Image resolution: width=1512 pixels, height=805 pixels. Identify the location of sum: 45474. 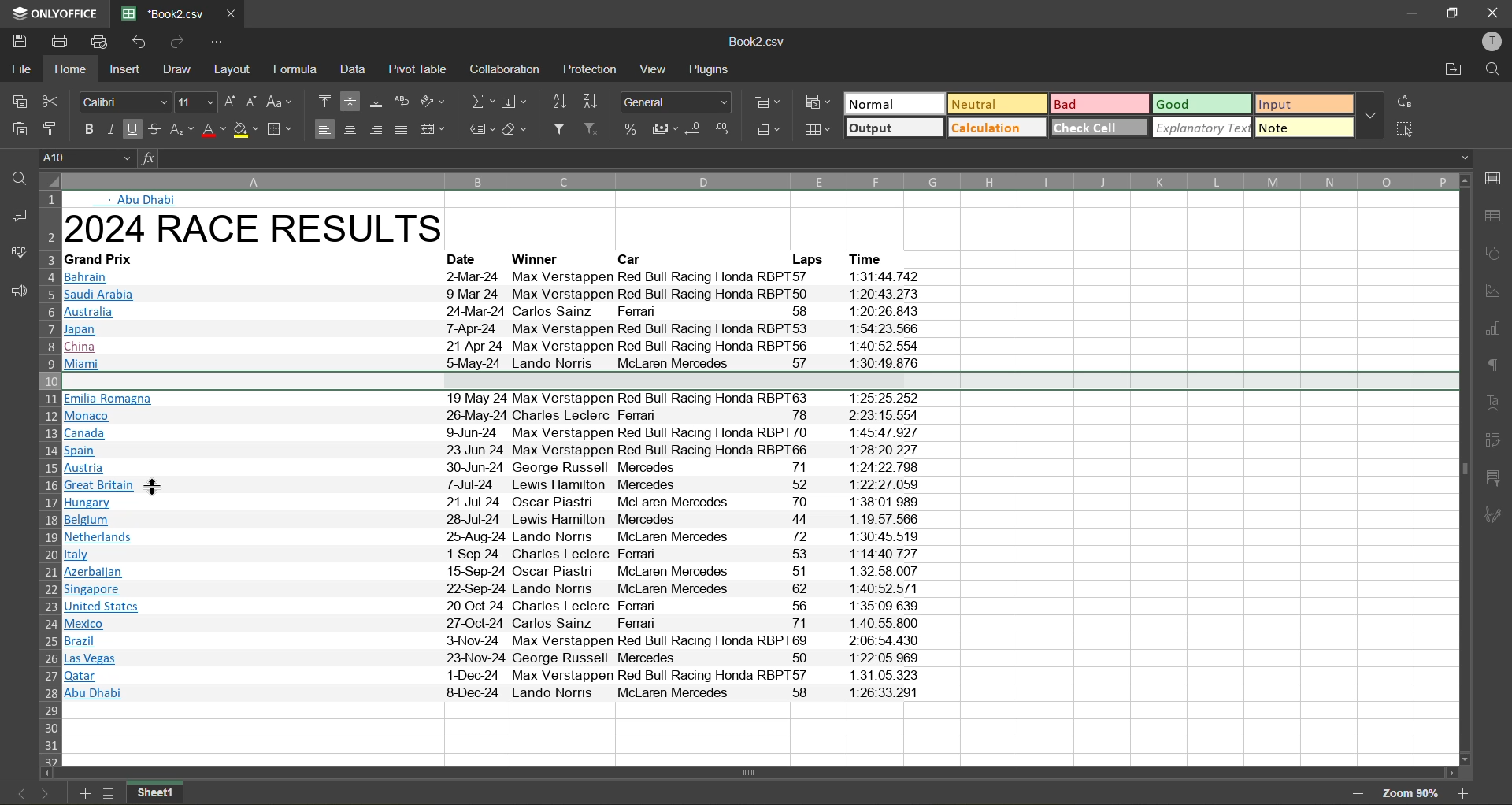
(1299, 794).